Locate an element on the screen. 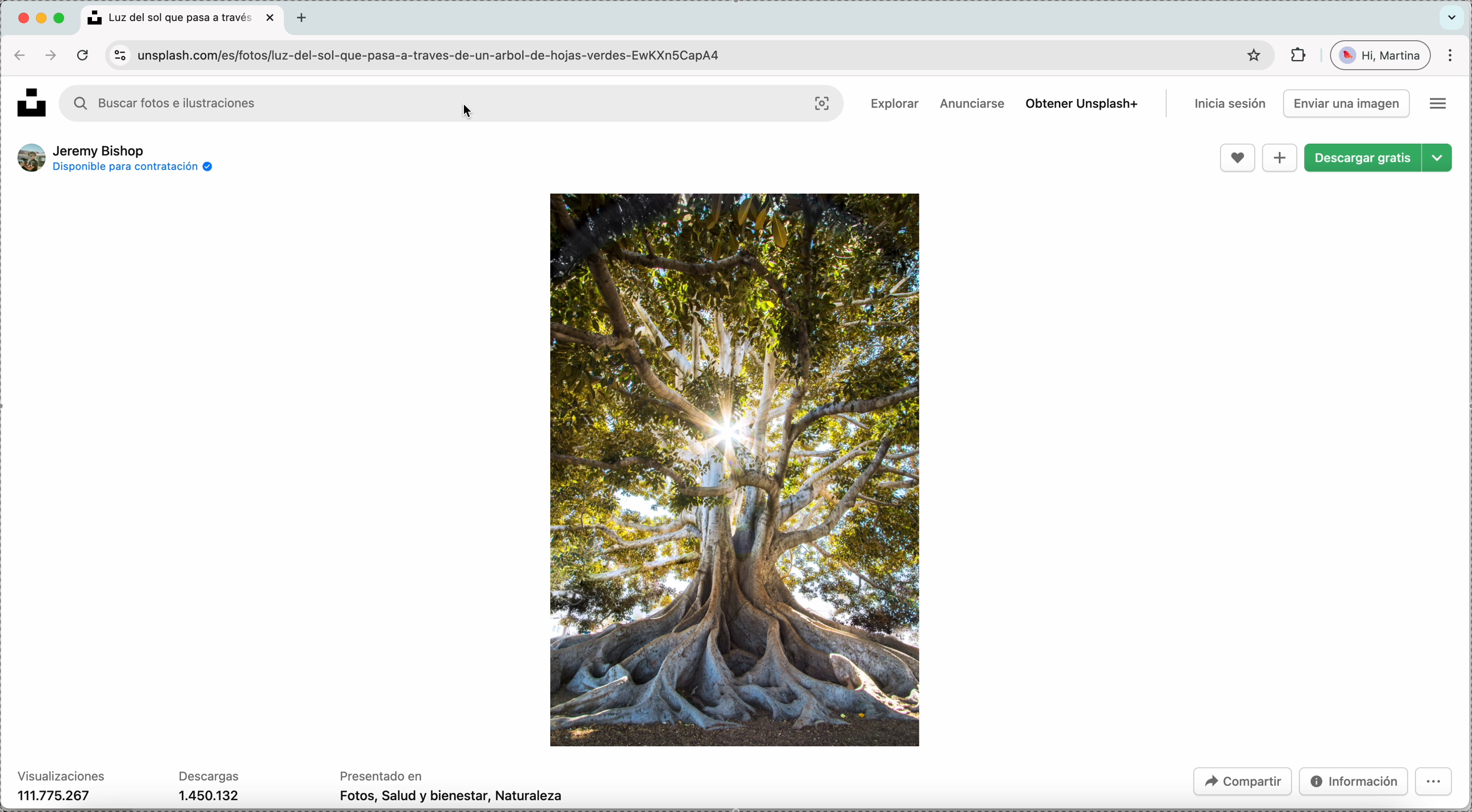 Image resolution: width=1472 pixels, height=812 pixels. information is located at coordinates (1353, 782).